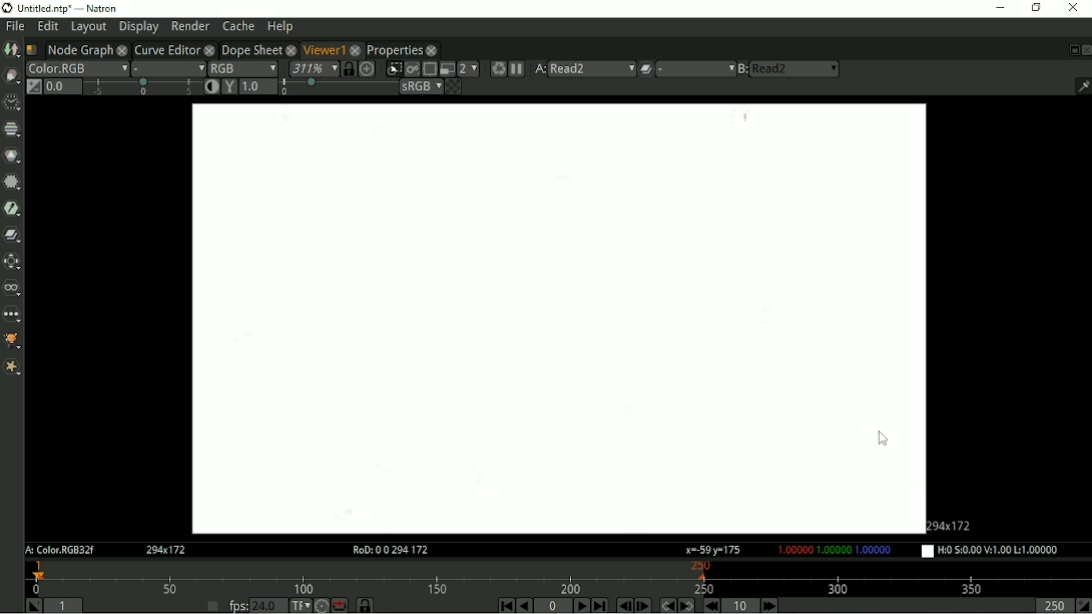 The image size is (1092, 614). What do you see at coordinates (421, 87) in the screenshot?
I see `sRGB` at bounding box center [421, 87].